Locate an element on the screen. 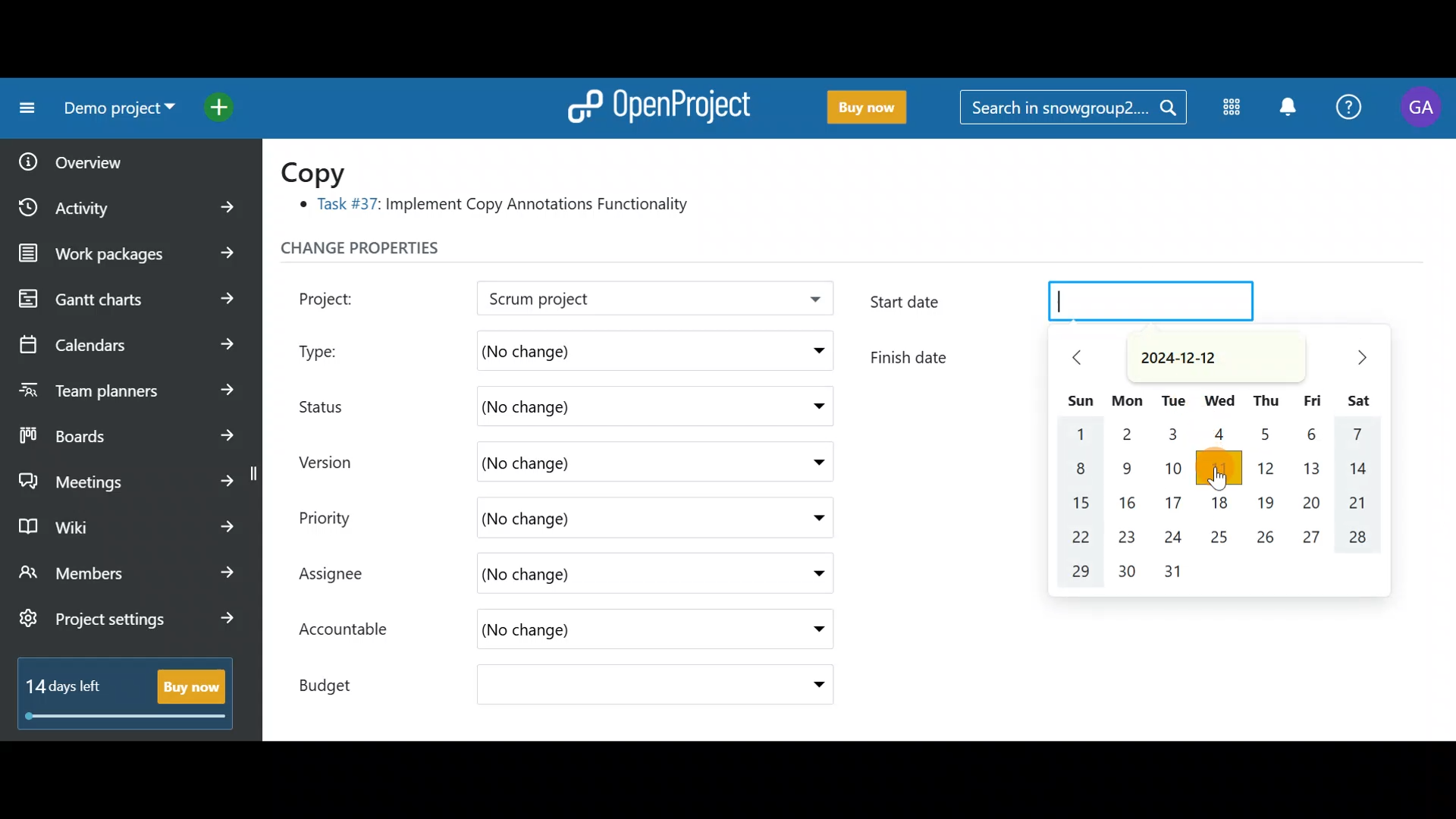 The image size is (1456, 819). Type drop down is located at coordinates (814, 354).